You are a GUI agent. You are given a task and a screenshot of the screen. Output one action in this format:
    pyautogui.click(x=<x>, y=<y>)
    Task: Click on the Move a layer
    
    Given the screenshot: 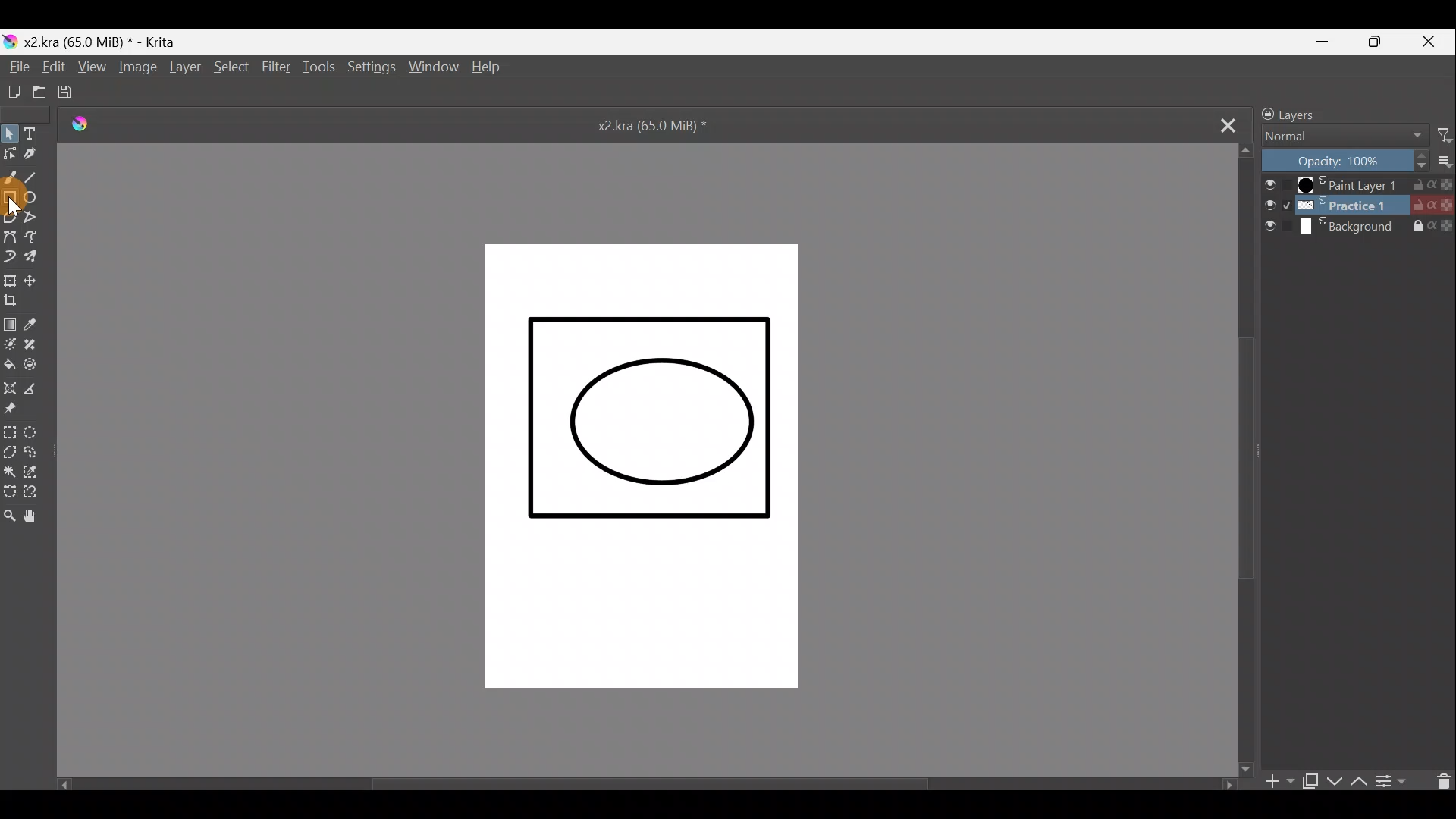 What is the action you would take?
    pyautogui.click(x=33, y=278)
    